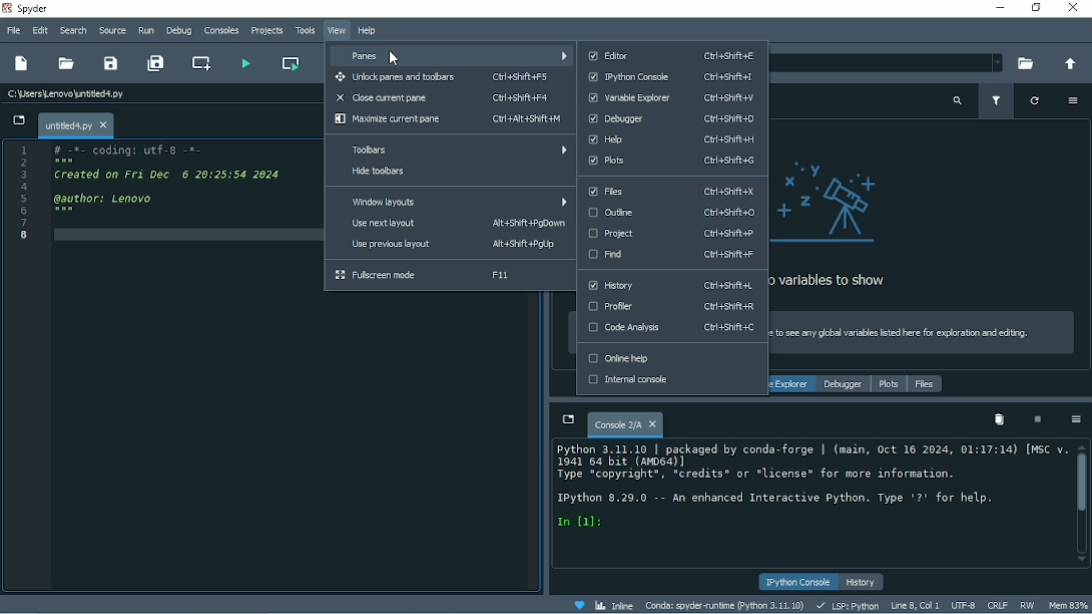 The height and width of the screenshot is (614, 1092). Describe the element at coordinates (847, 605) in the screenshot. I see `LSP` at that location.